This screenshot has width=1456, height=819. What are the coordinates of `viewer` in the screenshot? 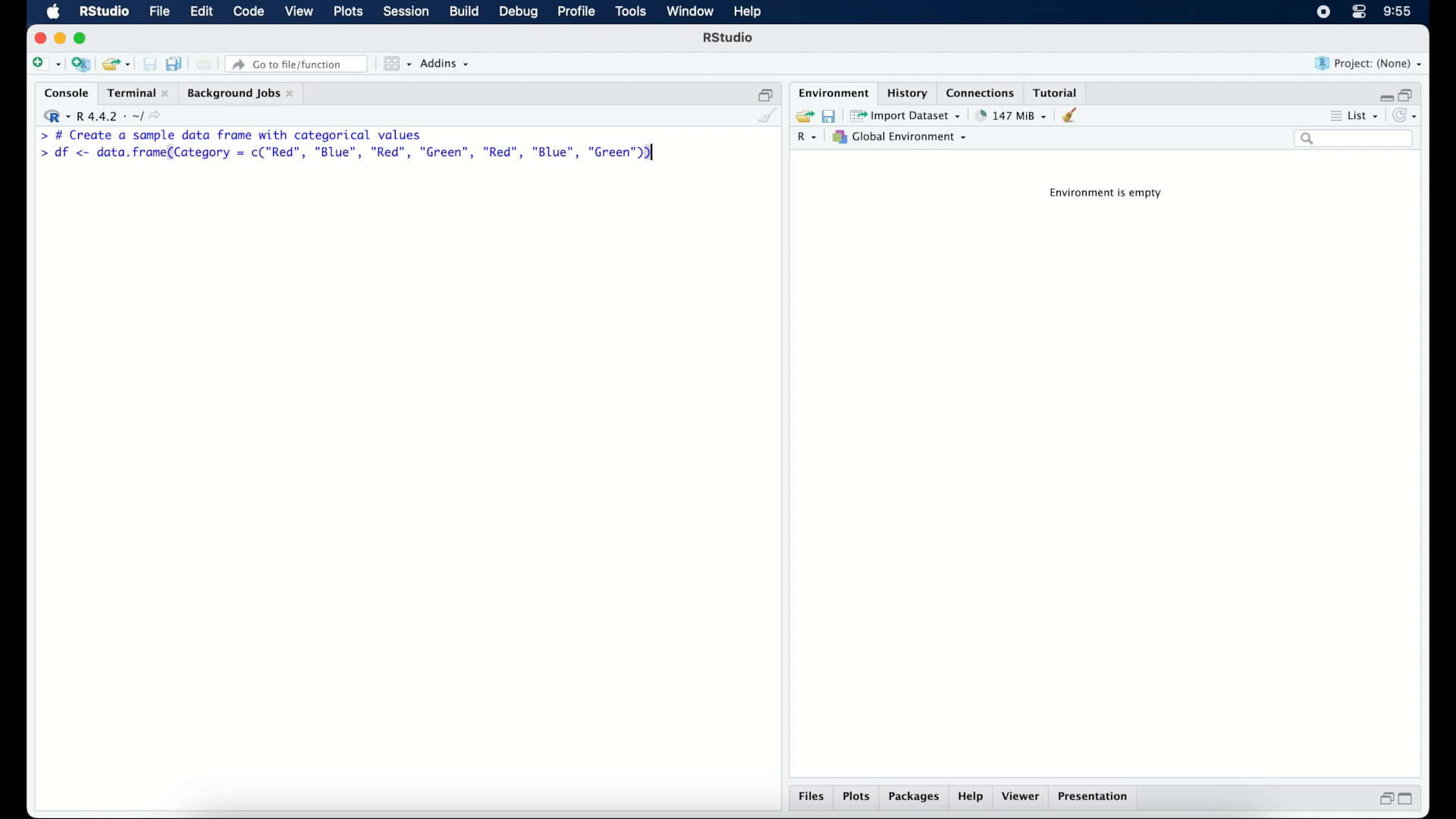 It's located at (1022, 798).